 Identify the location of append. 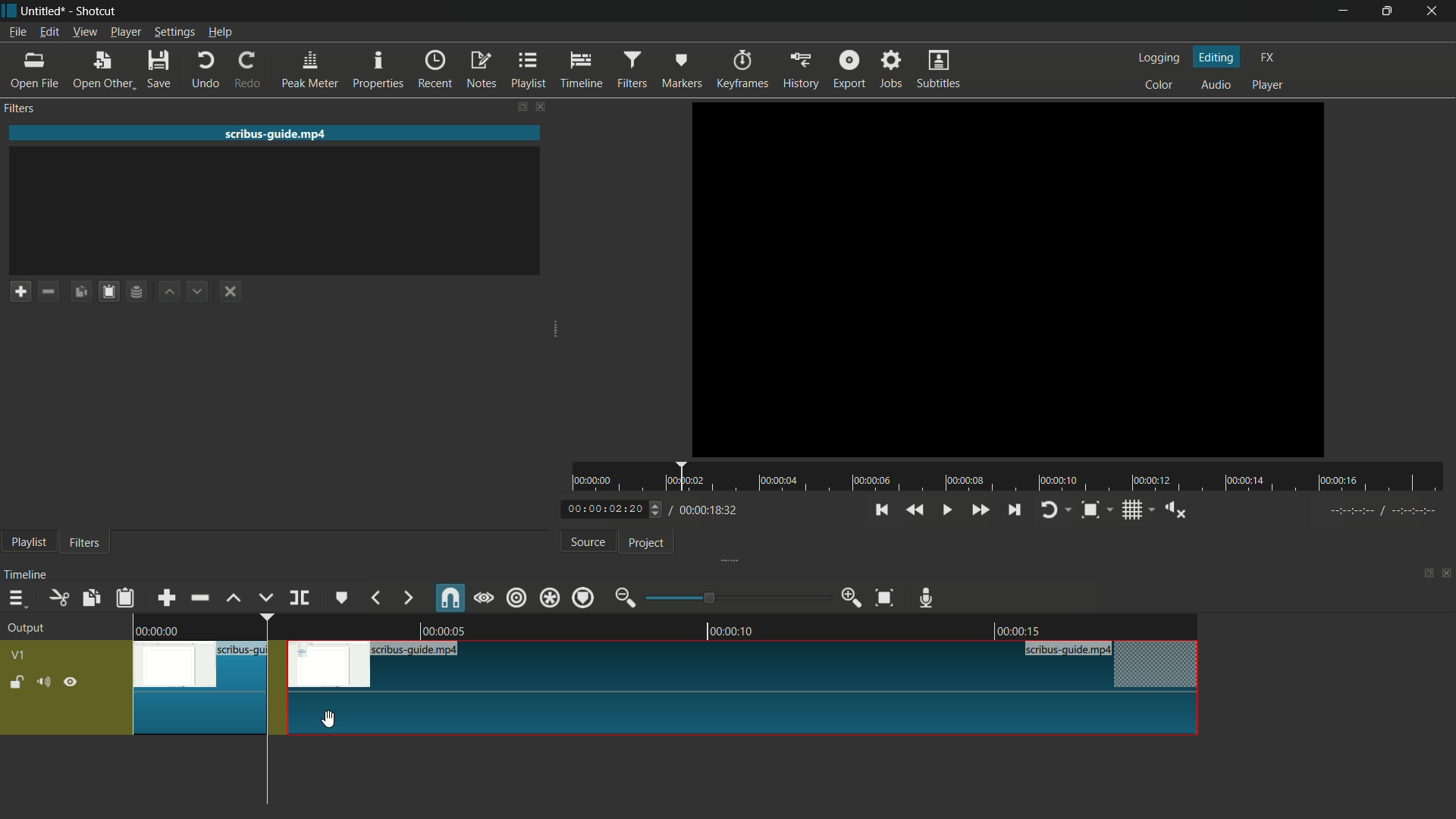
(166, 598).